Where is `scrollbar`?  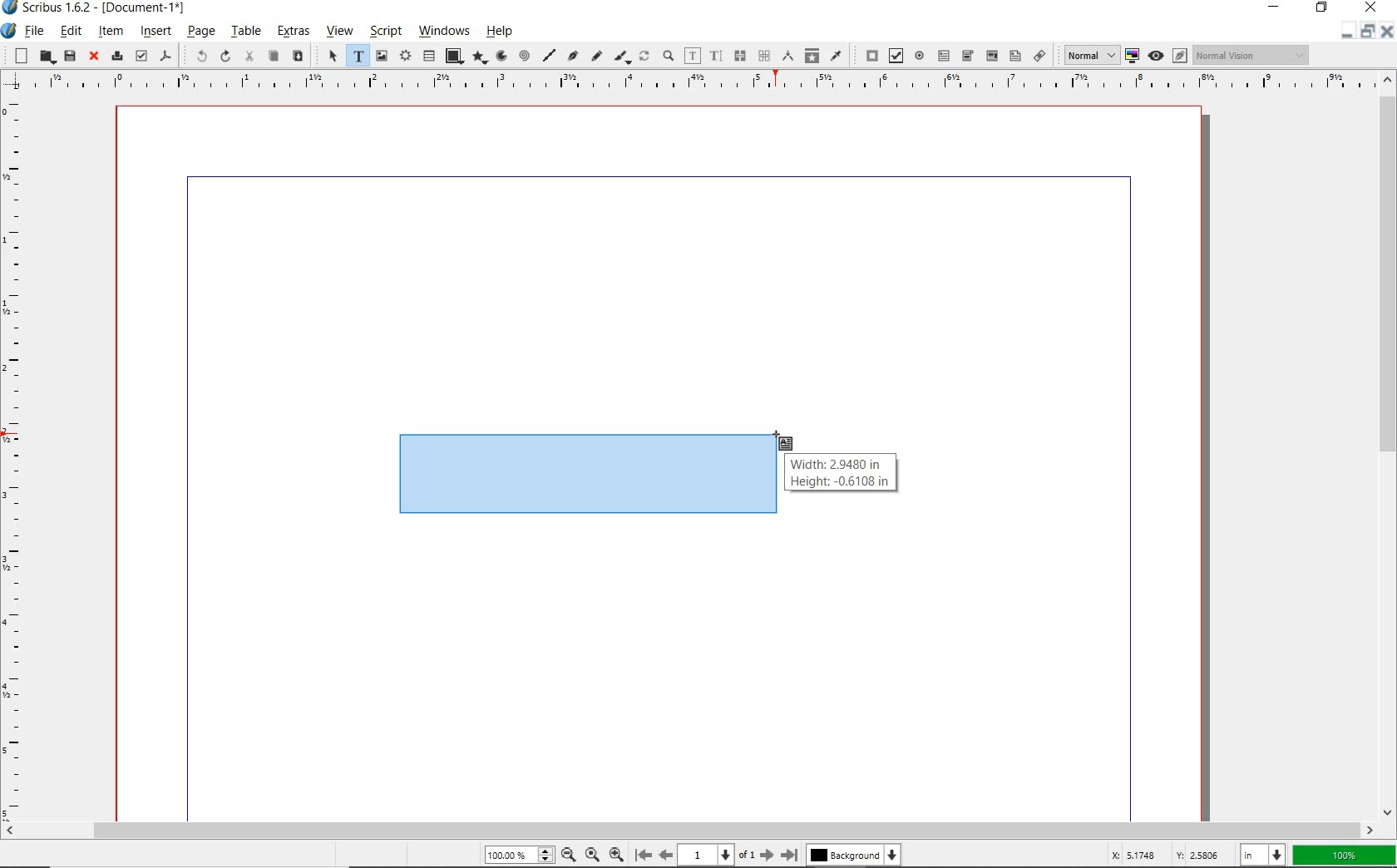 scrollbar is located at coordinates (689, 831).